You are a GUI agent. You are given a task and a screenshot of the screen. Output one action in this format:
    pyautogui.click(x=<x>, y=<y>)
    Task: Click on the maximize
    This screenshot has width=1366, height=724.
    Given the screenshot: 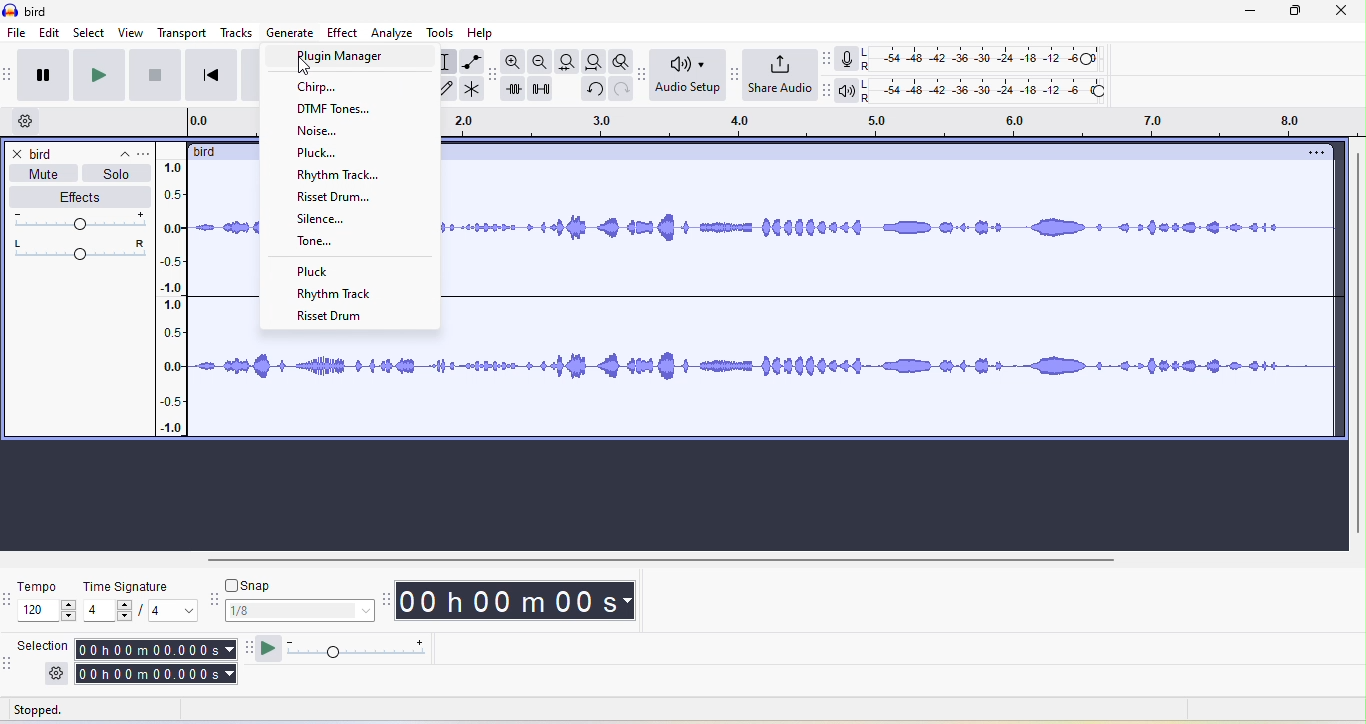 What is the action you would take?
    pyautogui.click(x=1292, y=13)
    